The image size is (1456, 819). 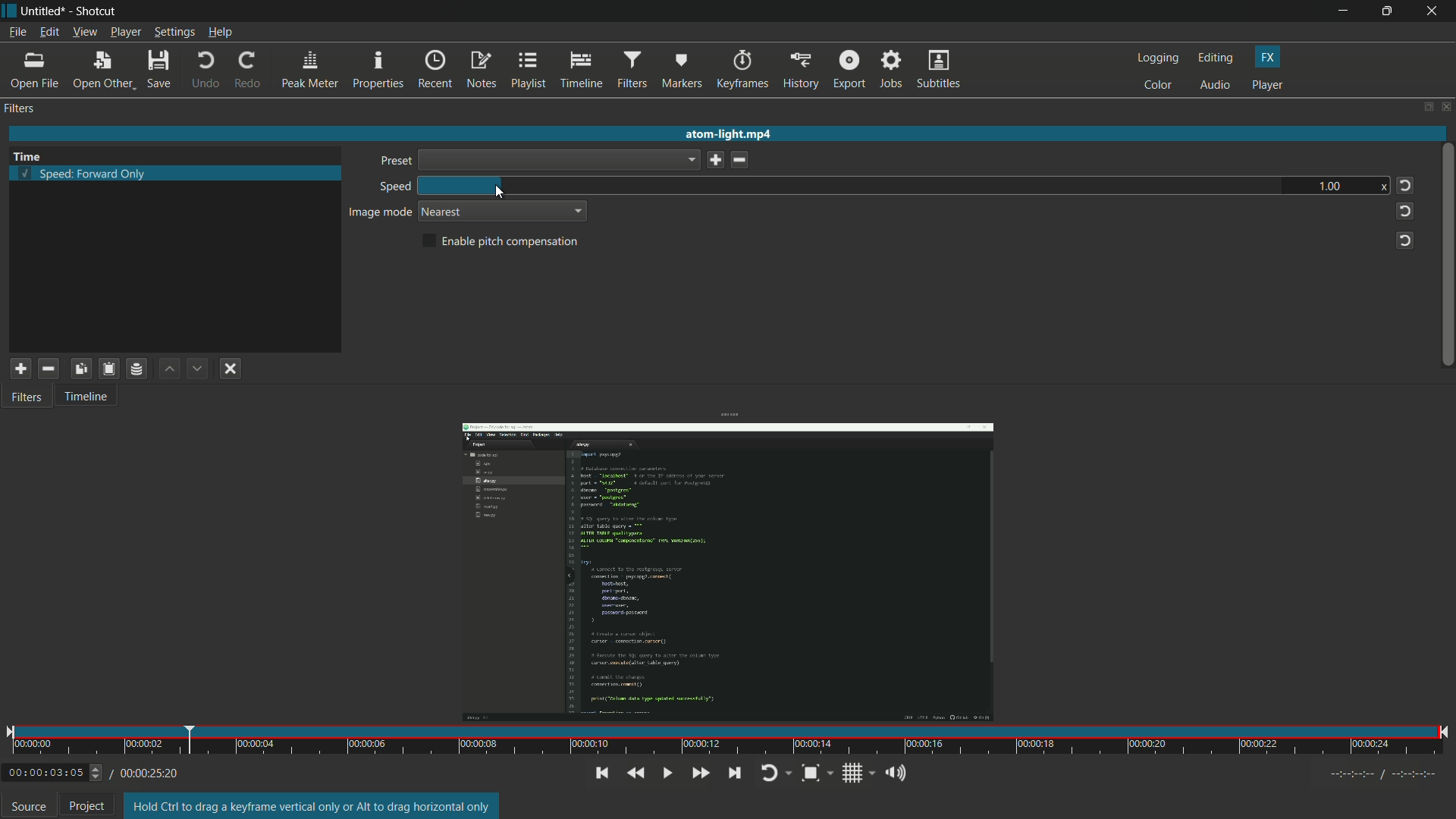 What do you see at coordinates (713, 160) in the screenshot?
I see `save` at bounding box center [713, 160].